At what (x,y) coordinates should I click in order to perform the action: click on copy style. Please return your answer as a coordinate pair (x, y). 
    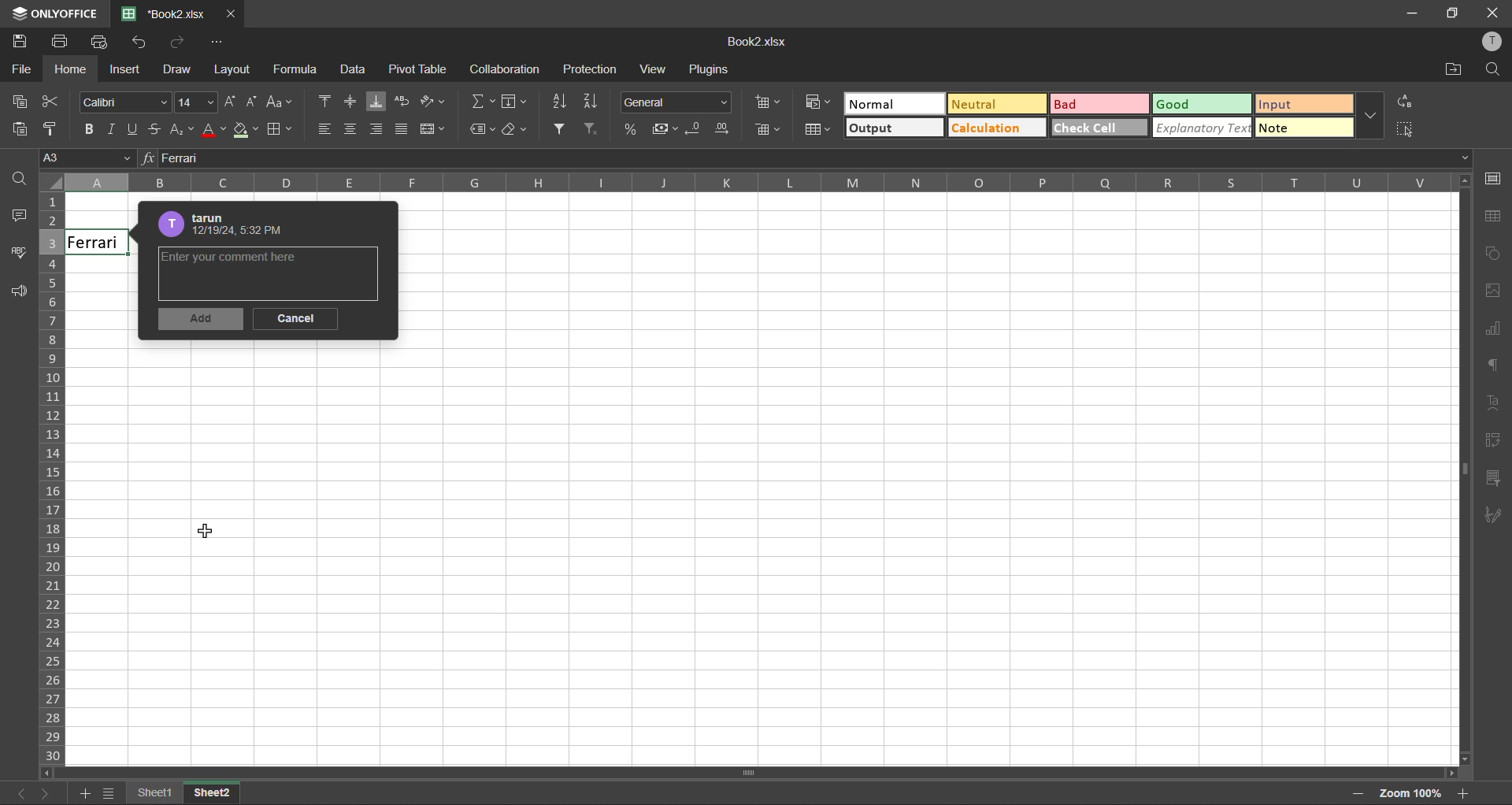
    Looking at the image, I should click on (52, 131).